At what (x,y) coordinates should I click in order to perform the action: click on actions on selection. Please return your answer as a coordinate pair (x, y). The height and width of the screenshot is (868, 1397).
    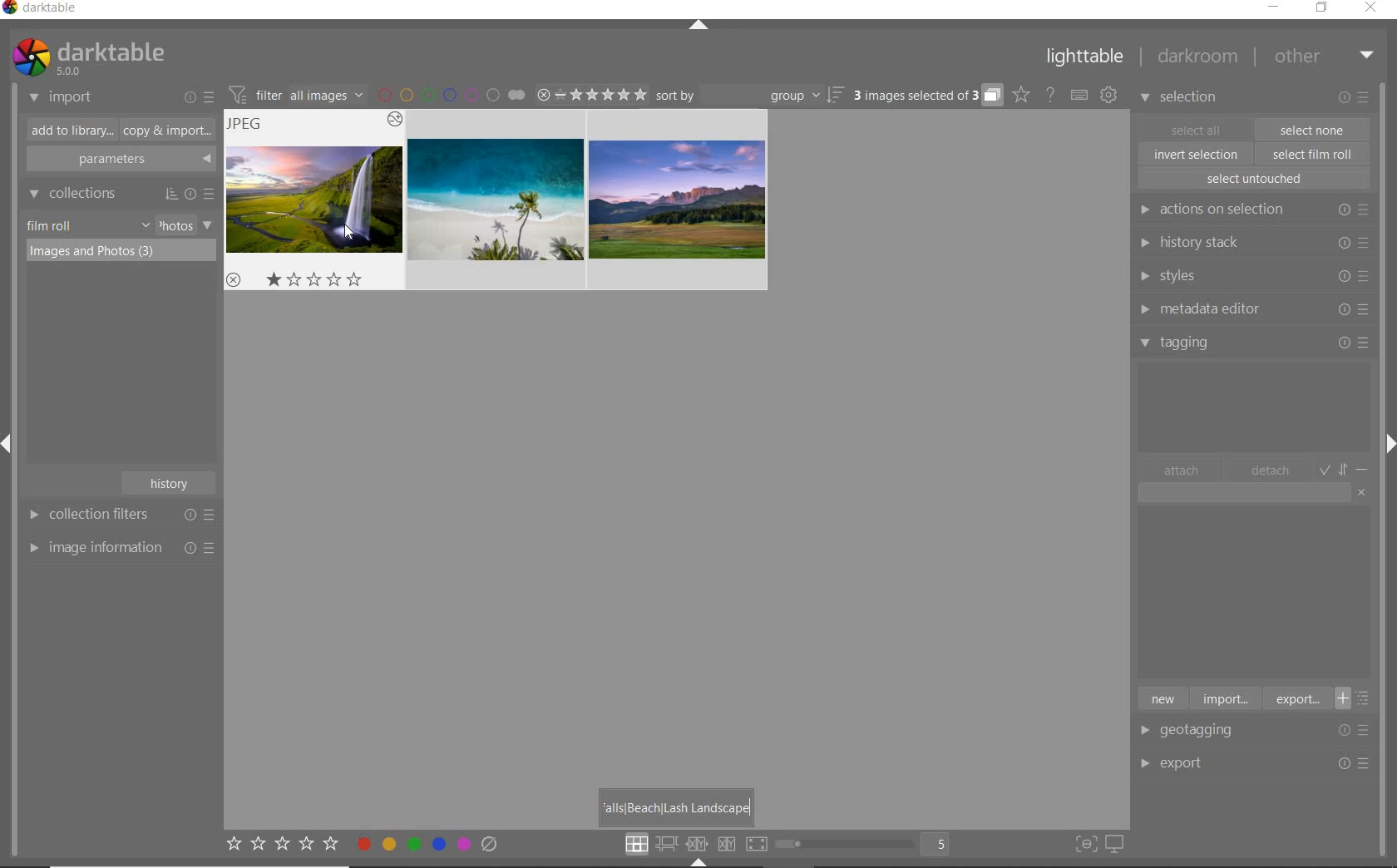
    Looking at the image, I should click on (1251, 210).